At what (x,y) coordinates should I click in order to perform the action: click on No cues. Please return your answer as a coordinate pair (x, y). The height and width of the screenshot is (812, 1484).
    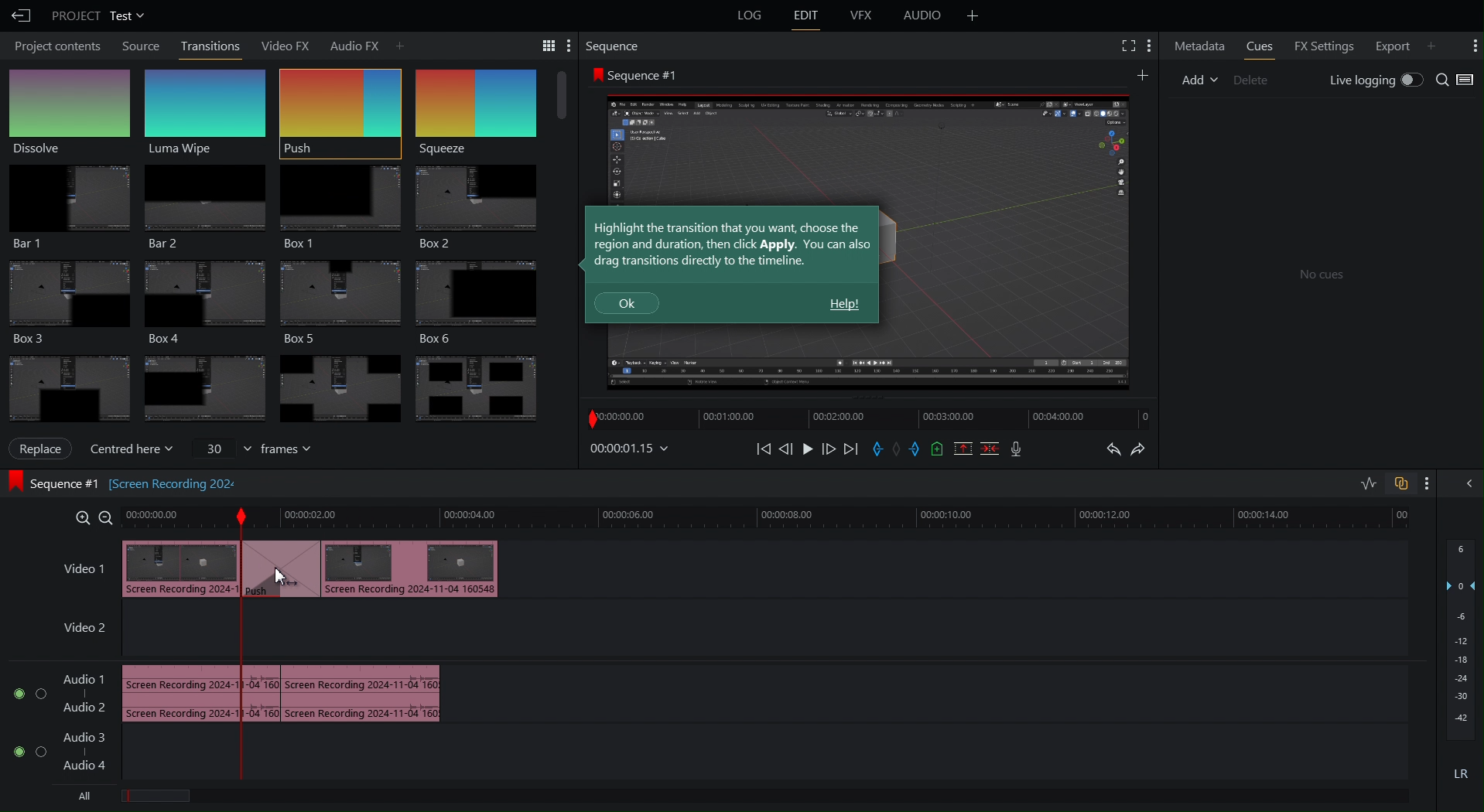
    Looking at the image, I should click on (1321, 275).